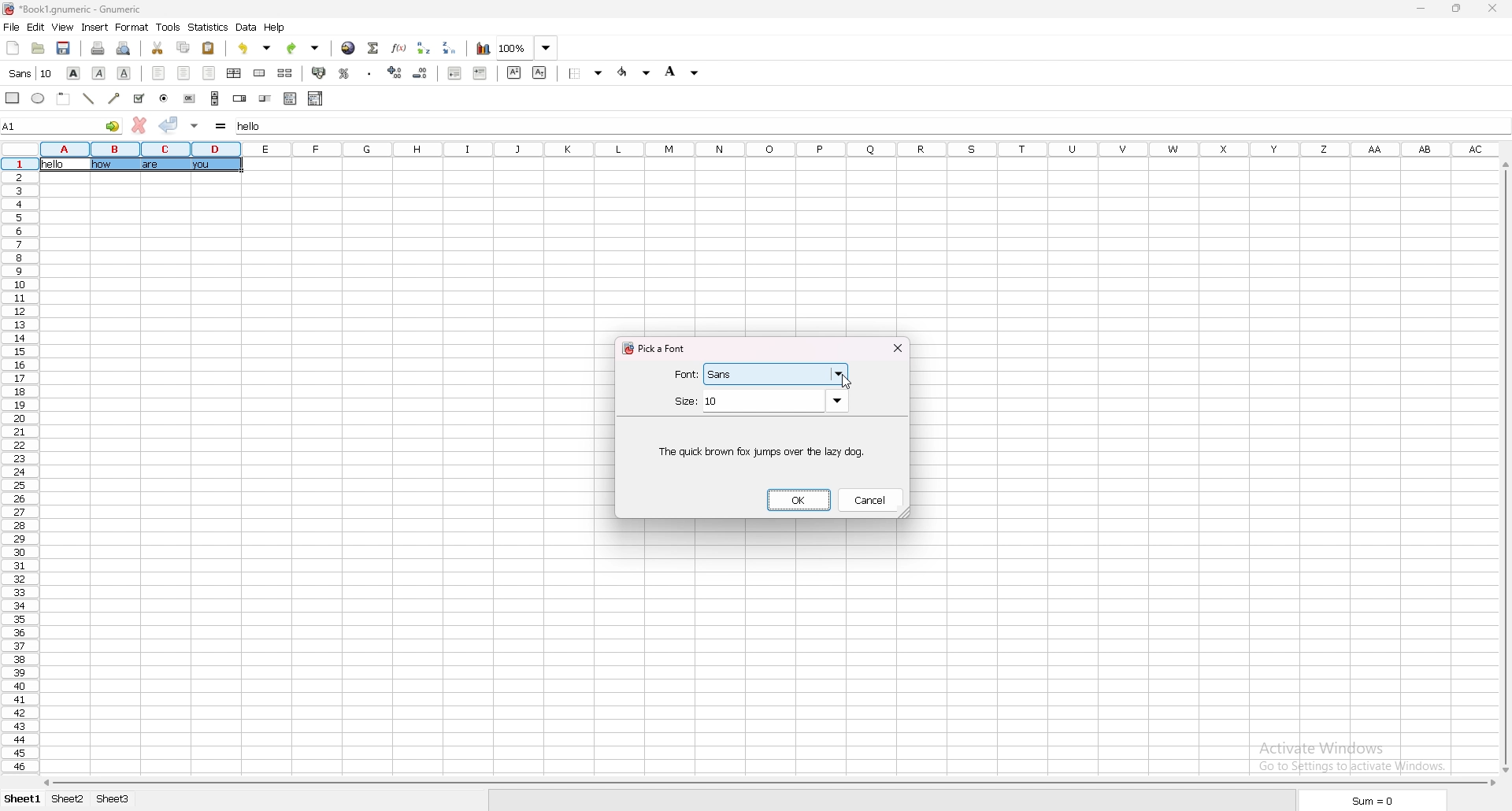  I want to click on accept changes in all cells, so click(195, 125).